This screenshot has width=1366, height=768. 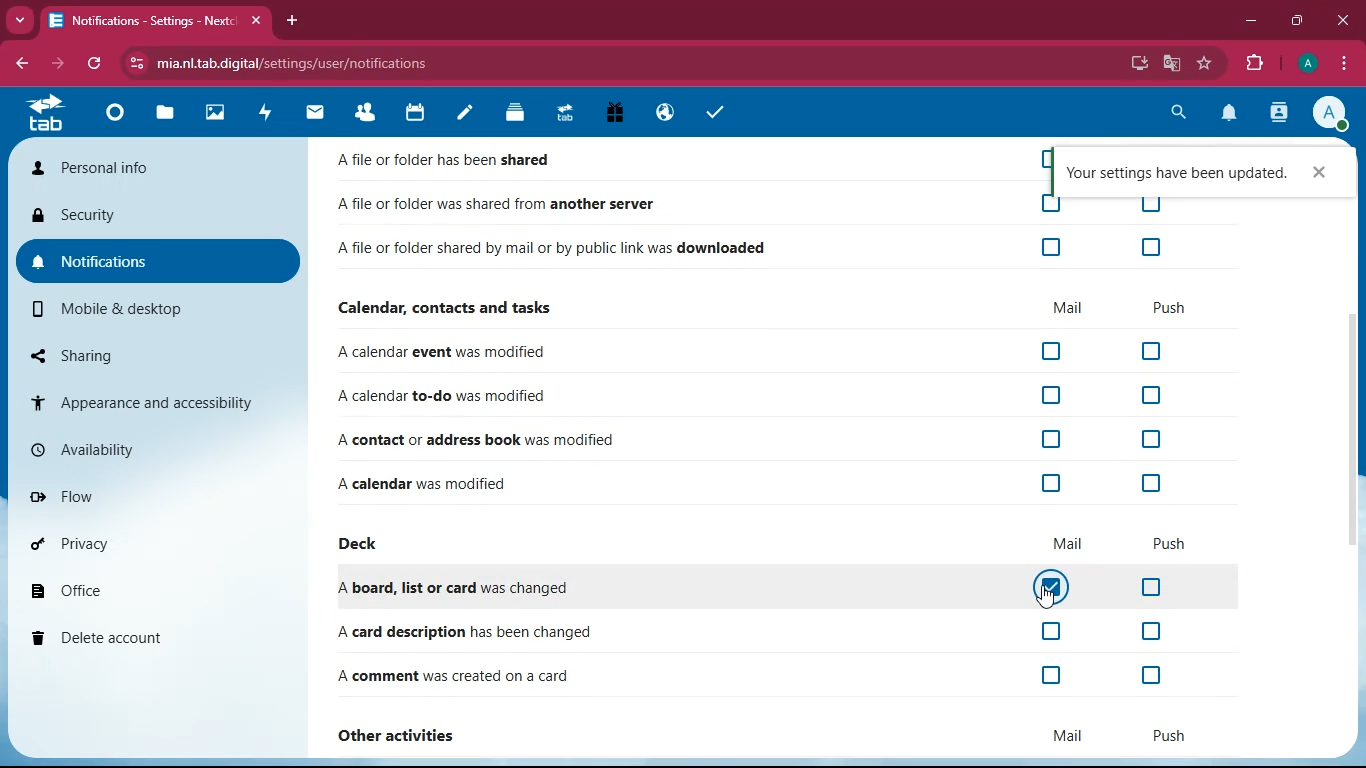 What do you see at coordinates (1149, 673) in the screenshot?
I see `off` at bounding box center [1149, 673].